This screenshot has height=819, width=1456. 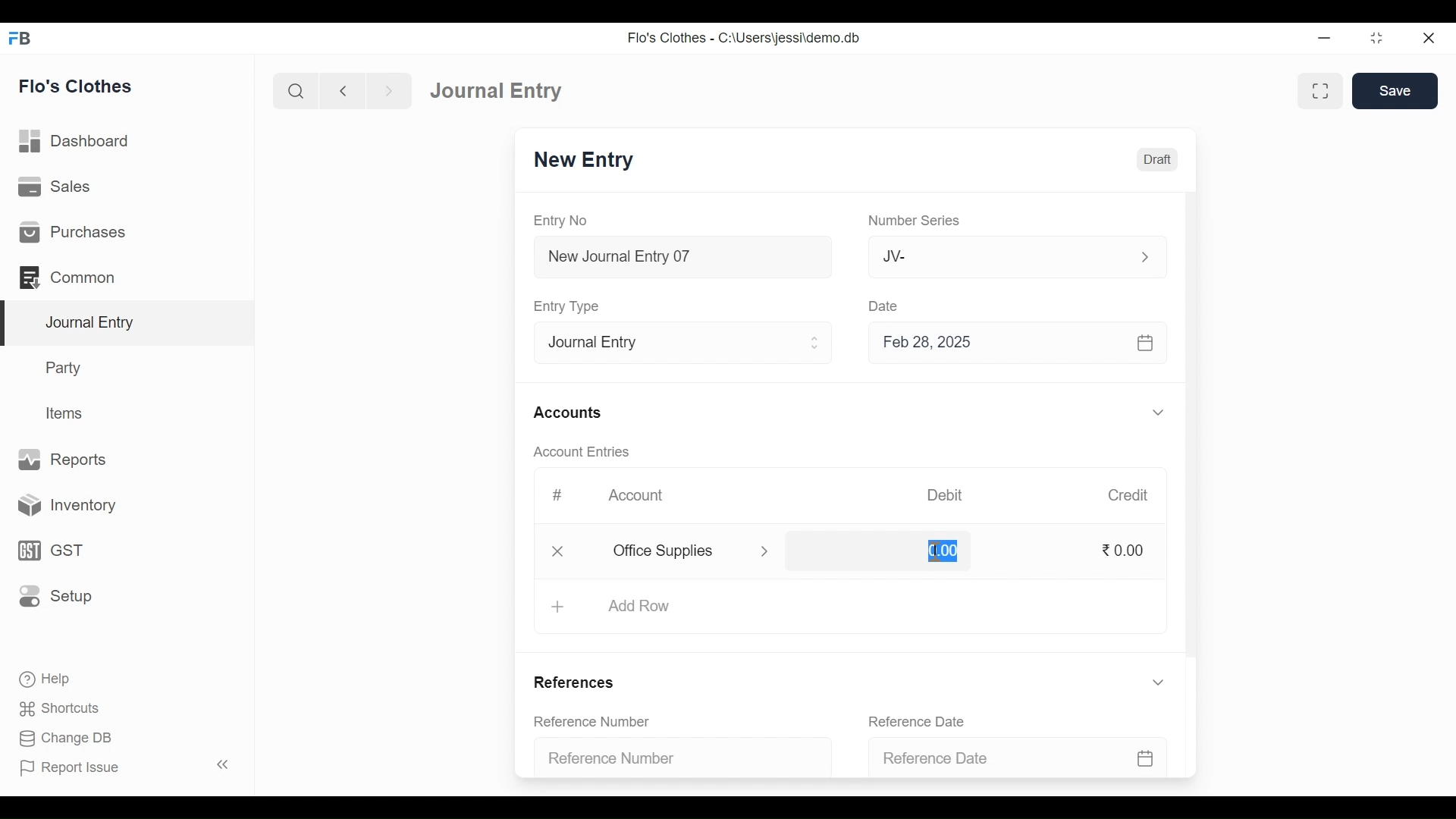 What do you see at coordinates (1126, 551) in the screenshot?
I see `0.00` at bounding box center [1126, 551].